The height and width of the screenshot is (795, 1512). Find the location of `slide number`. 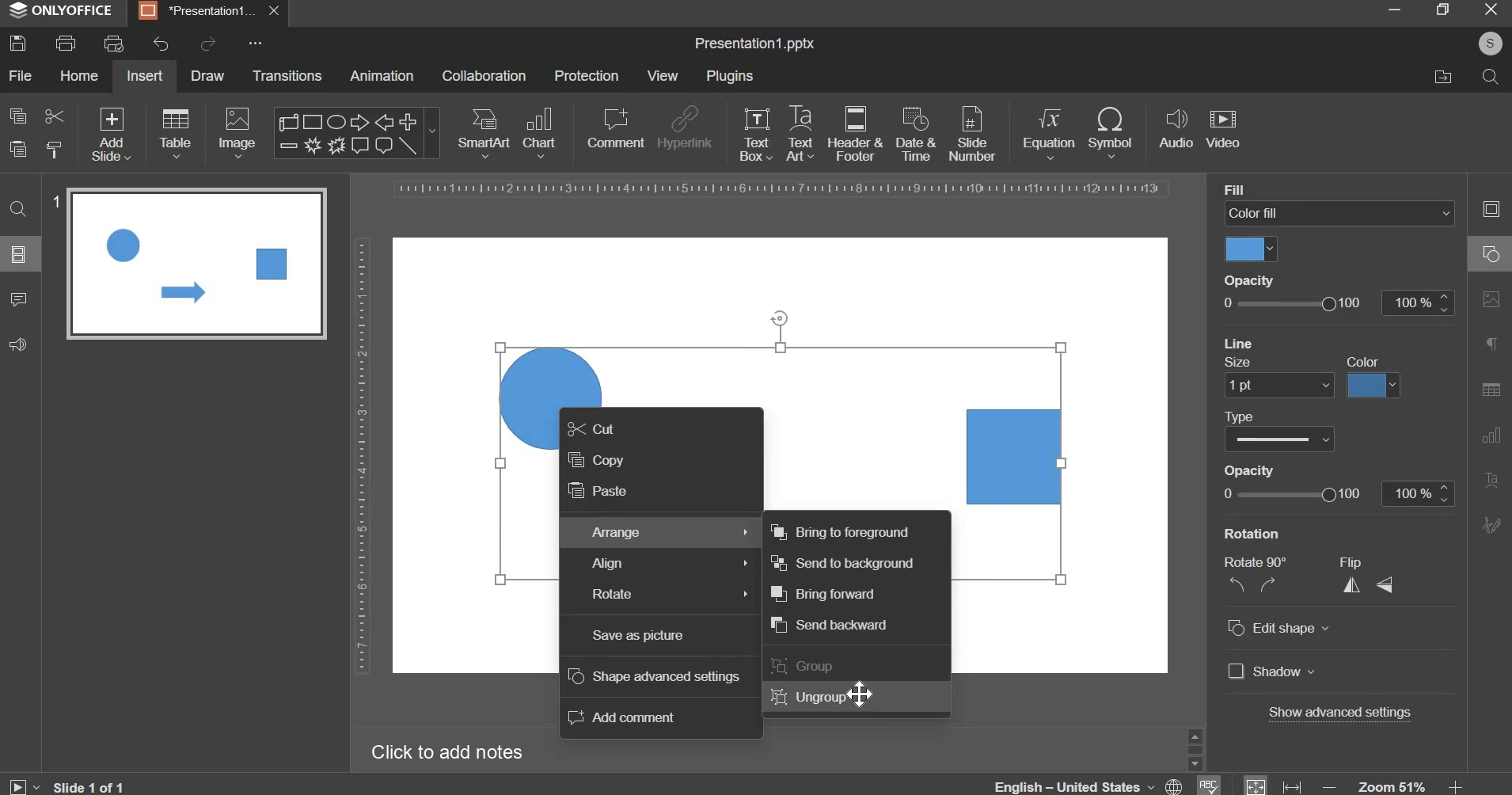

slide number is located at coordinates (52, 200).